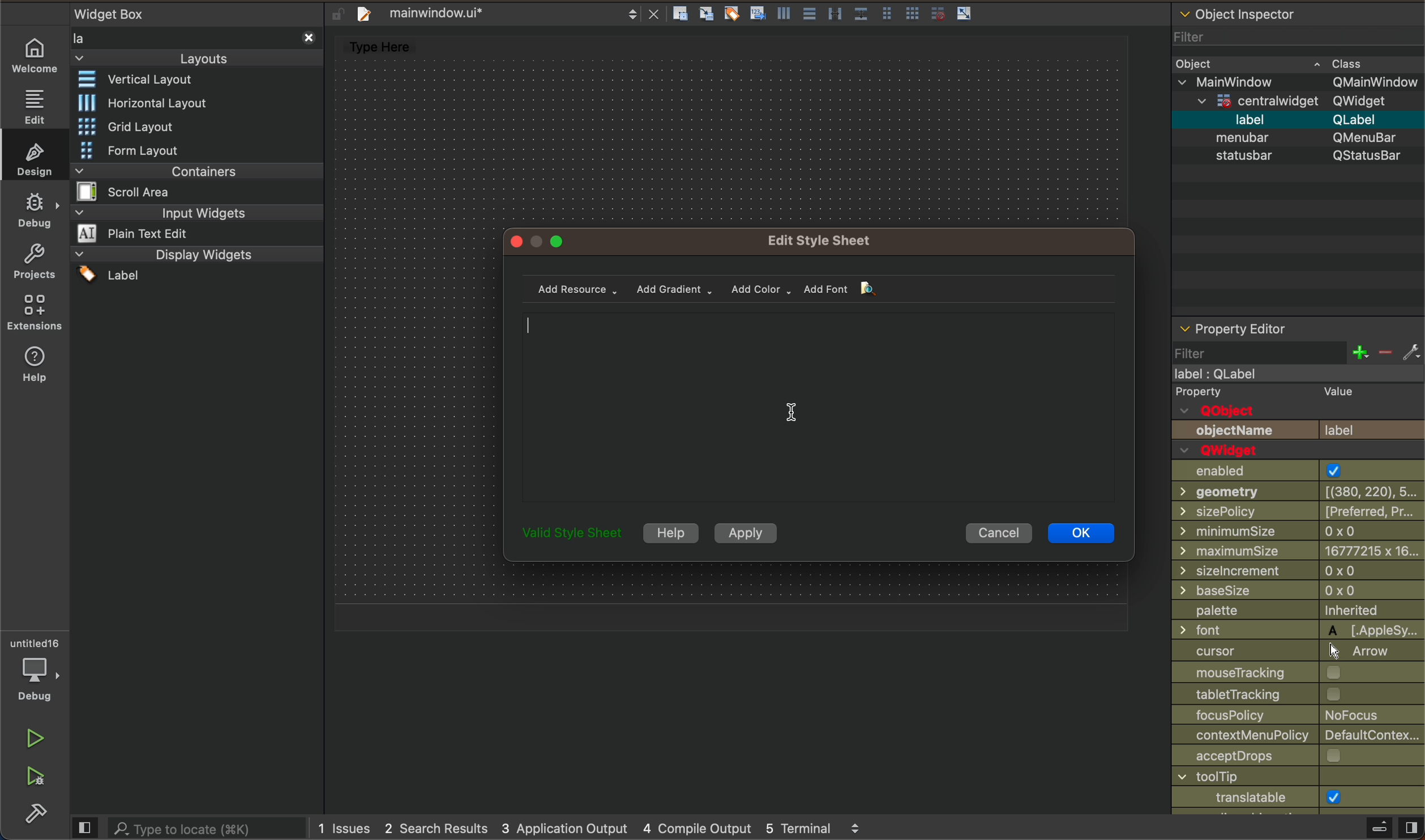 This screenshot has width=1425, height=840. Describe the element at coordinates (34, 105) in the screenshot. I see `edit` at that location.